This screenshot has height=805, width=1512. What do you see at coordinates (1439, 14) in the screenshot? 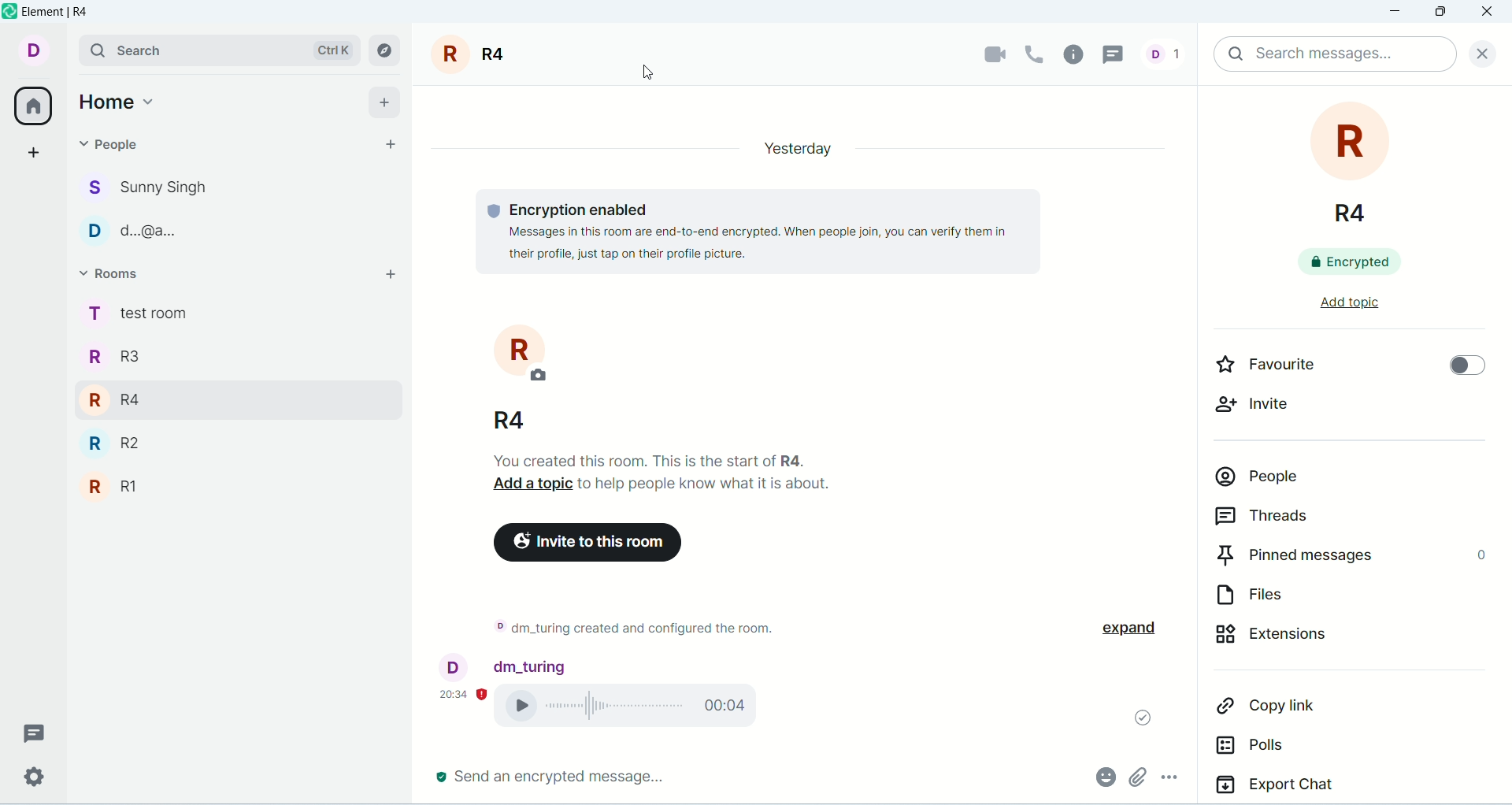
I see `maximize` at bounding box center [1439, 14].